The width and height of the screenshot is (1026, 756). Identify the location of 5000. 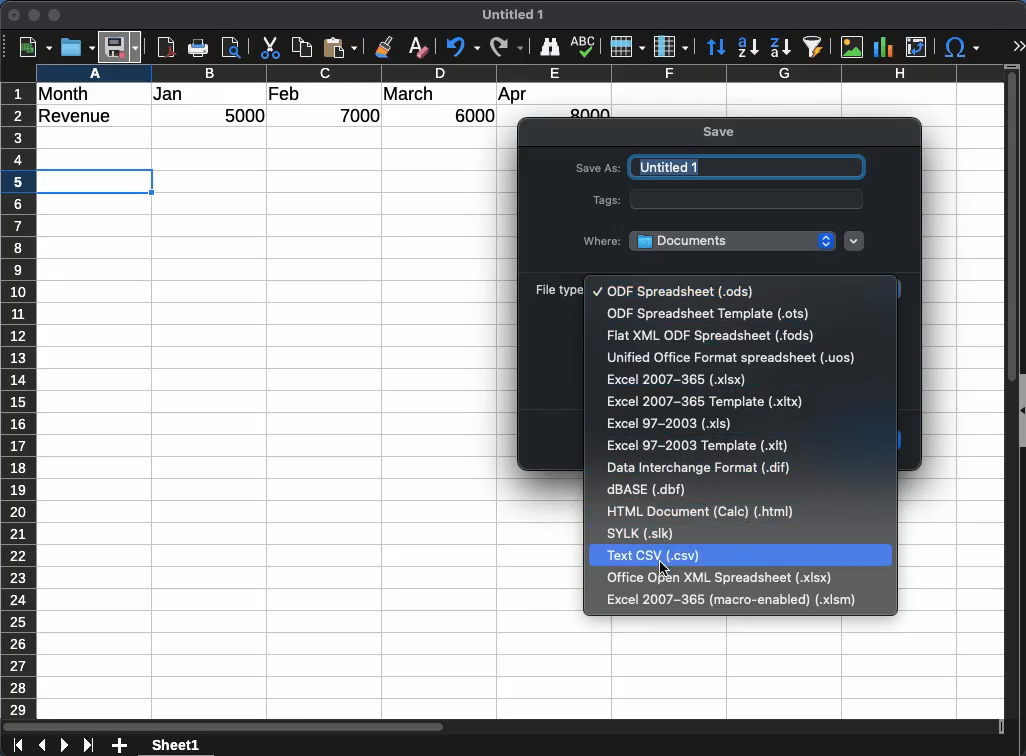
(247, 117).